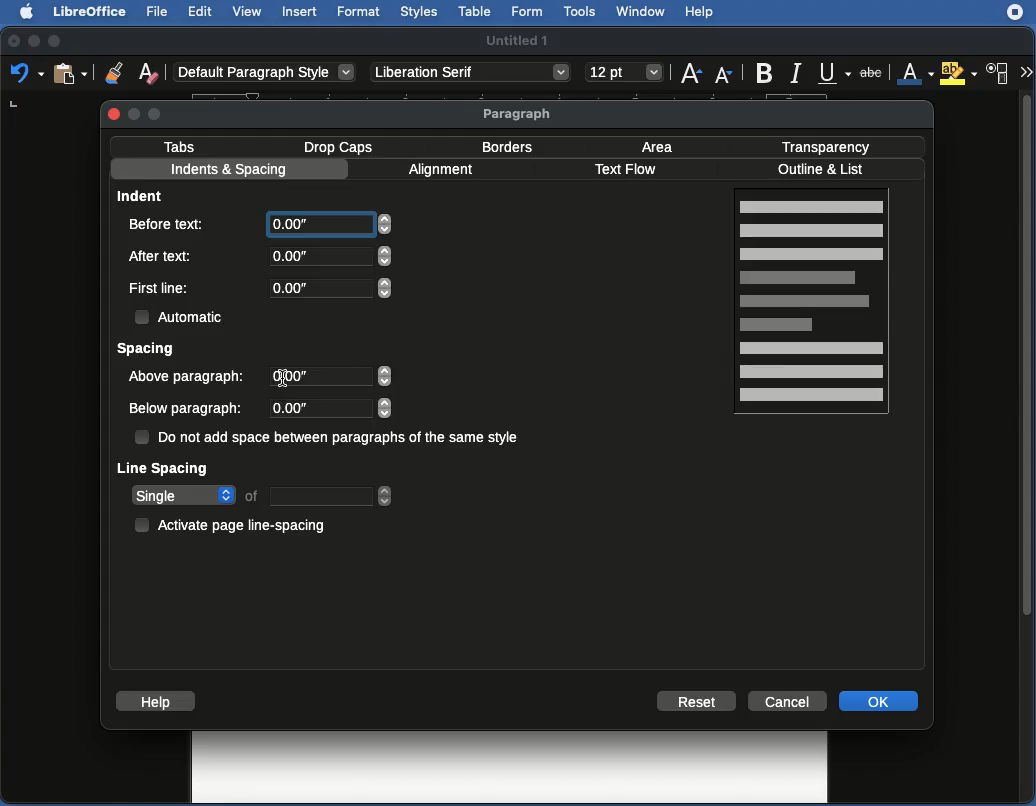 The image size is (1036, 806). Describe the element at coordinates (914, 74) in the screenshot. I see `Font color` at that location.